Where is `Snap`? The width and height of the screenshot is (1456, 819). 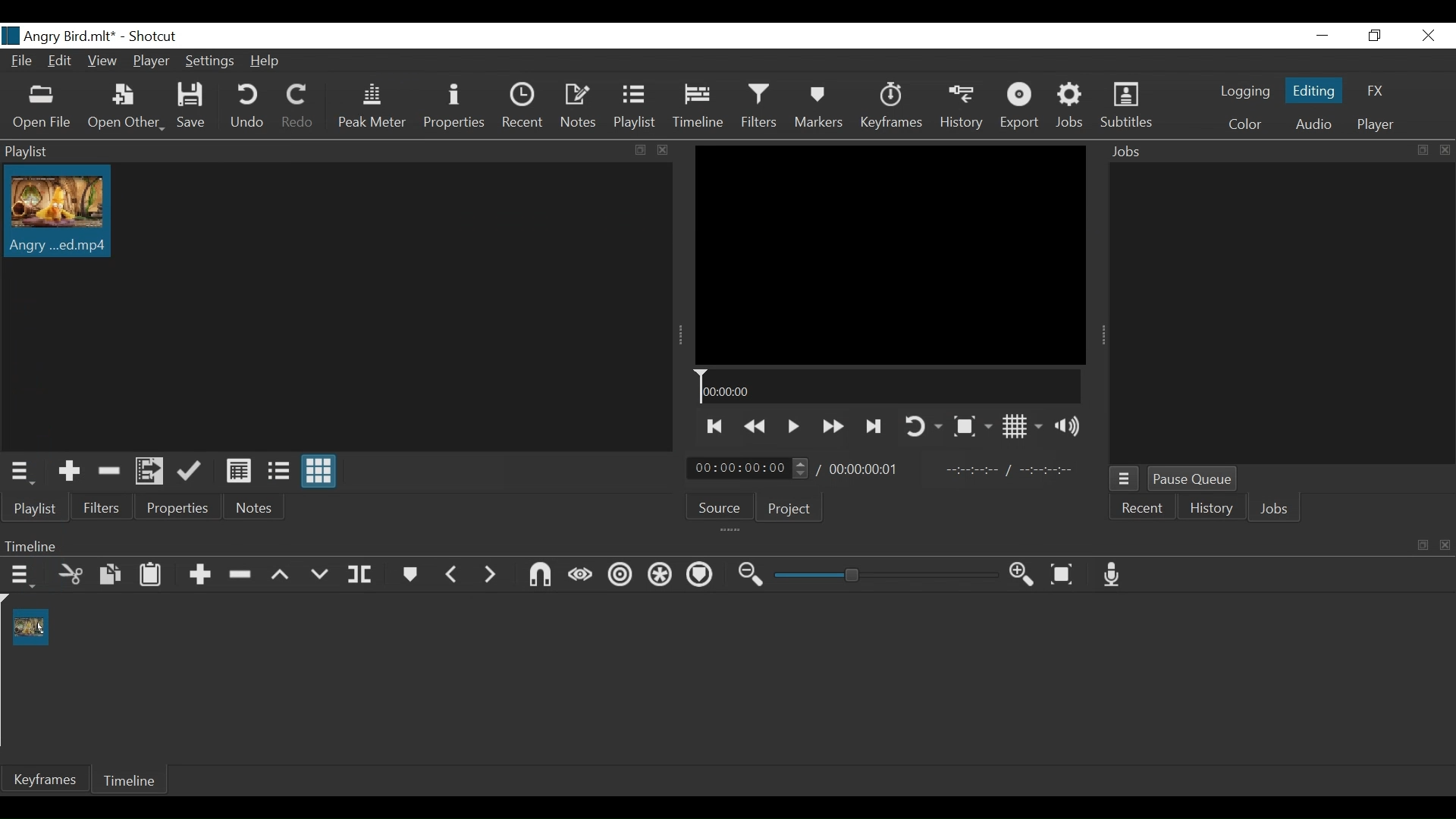
Snap is located at coordinates (539, 575).